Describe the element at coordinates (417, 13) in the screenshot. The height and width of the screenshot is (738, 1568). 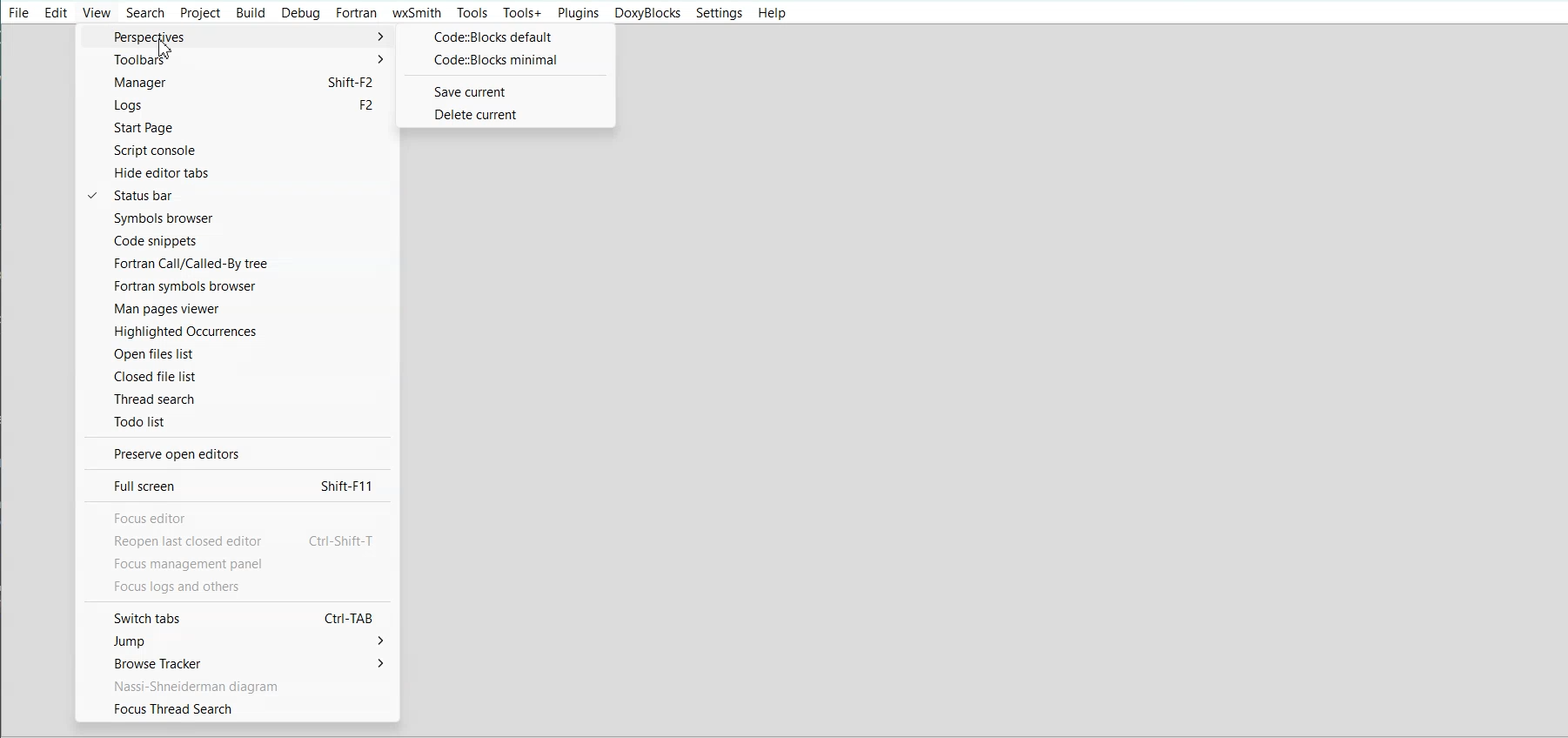
I see `wxSmith` at that location.